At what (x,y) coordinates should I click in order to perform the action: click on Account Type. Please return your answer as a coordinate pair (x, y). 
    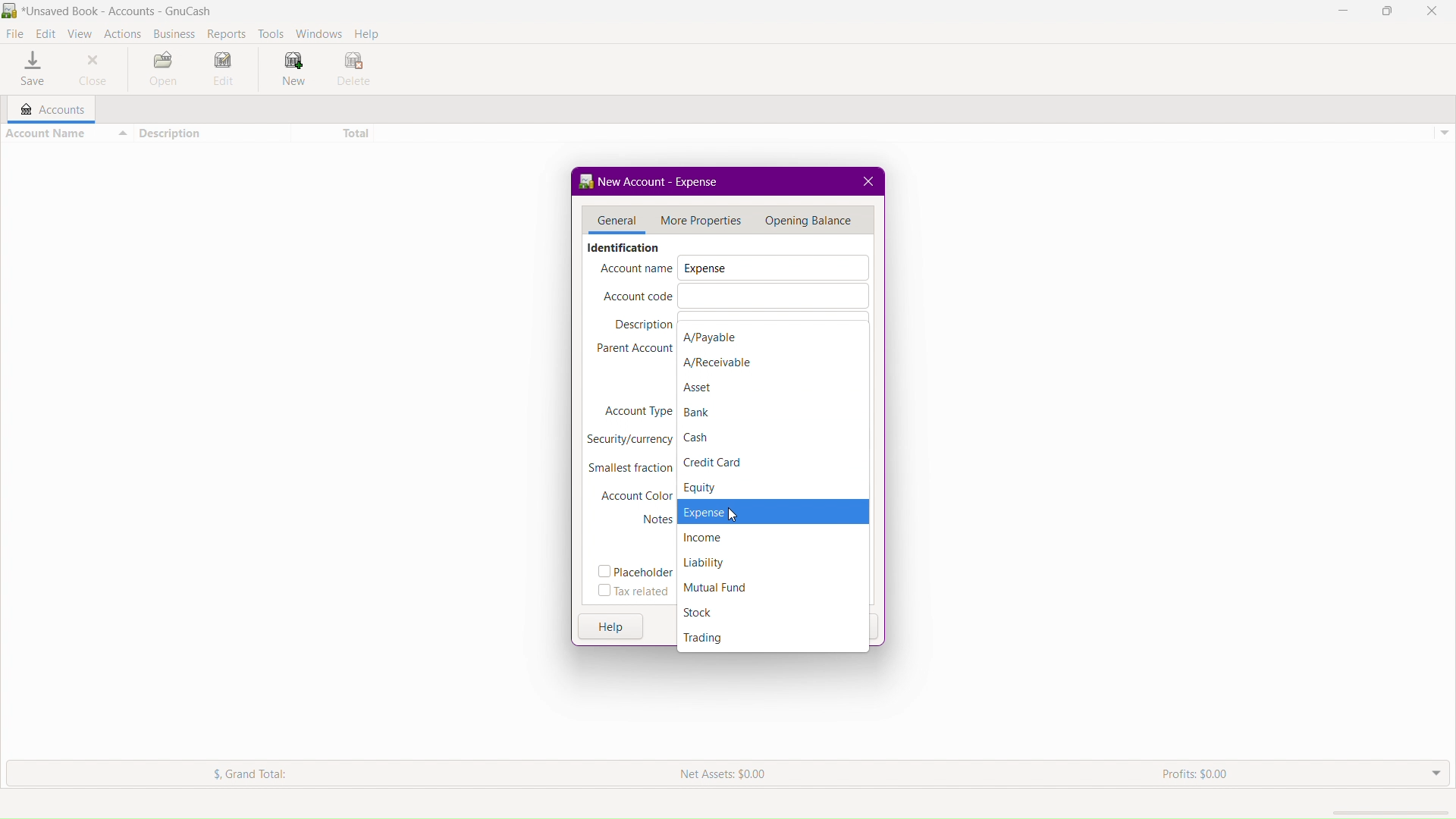
    Looking at the image, I should click on (635, 409).